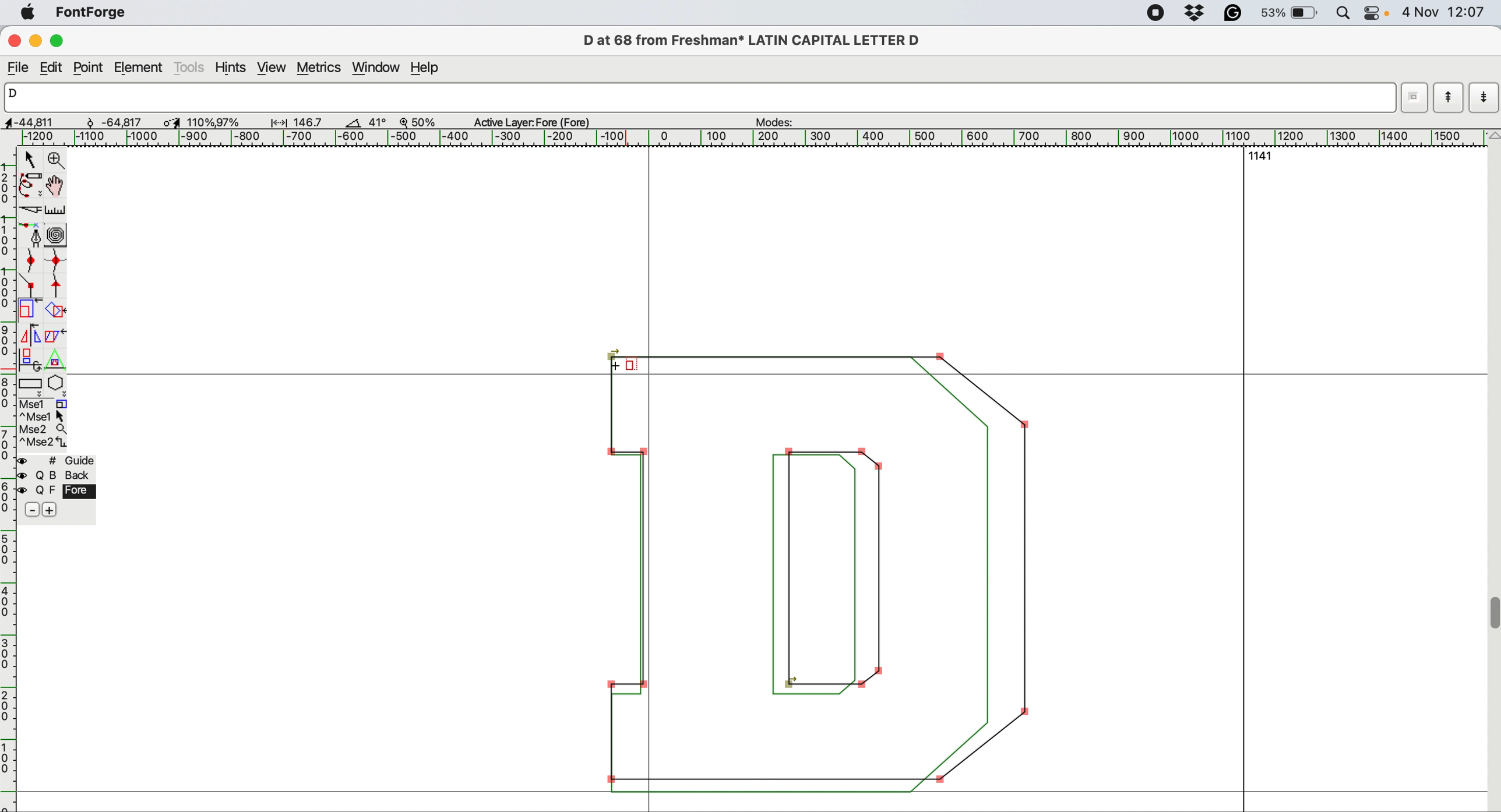 This screenshot has height=812, width=1501. Describe the element at coordinates (1492, 470) in the screenshot. I see `vertical scroll bar` at that location.